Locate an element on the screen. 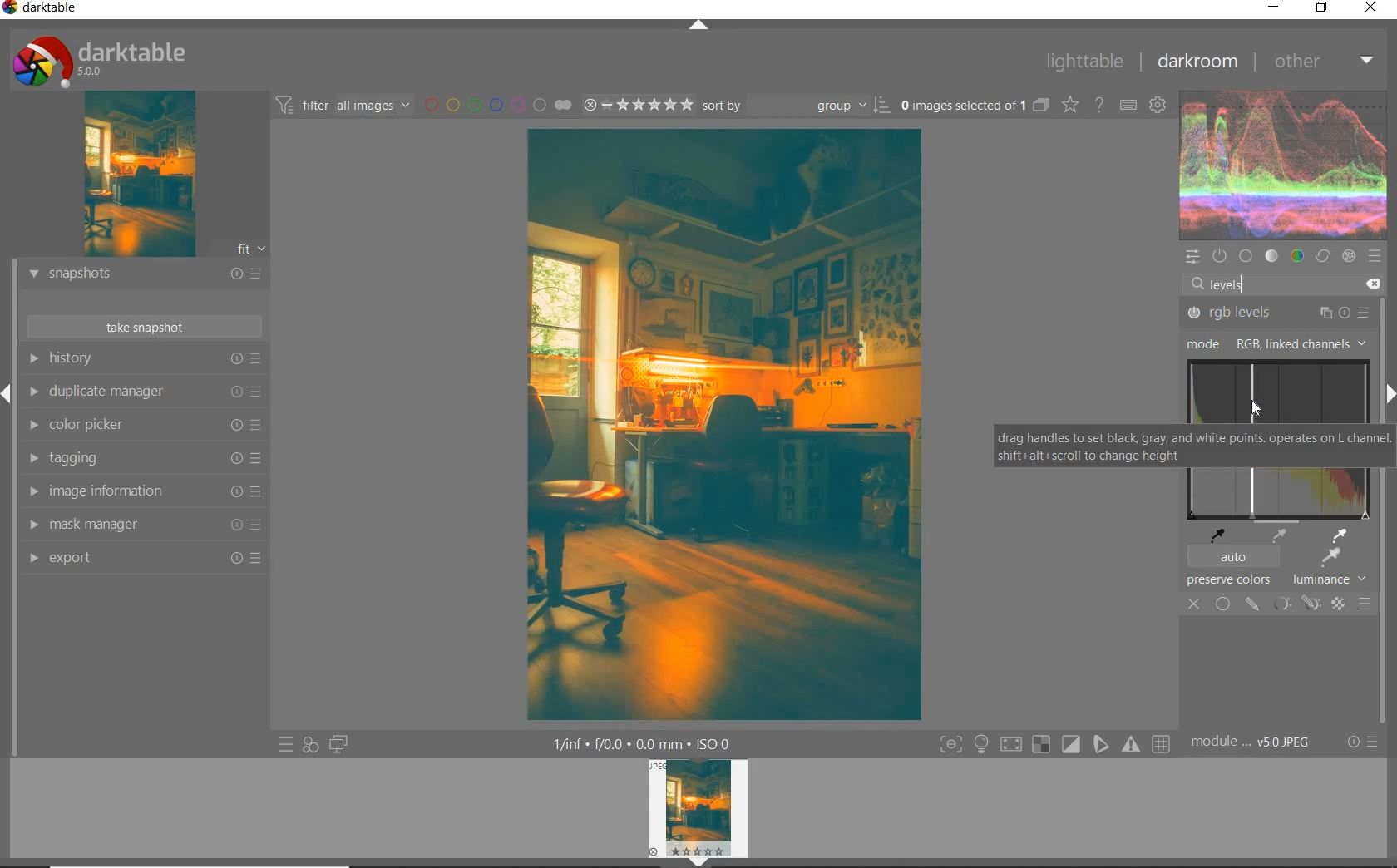  enable online help is located at coordinates (1098, 105).